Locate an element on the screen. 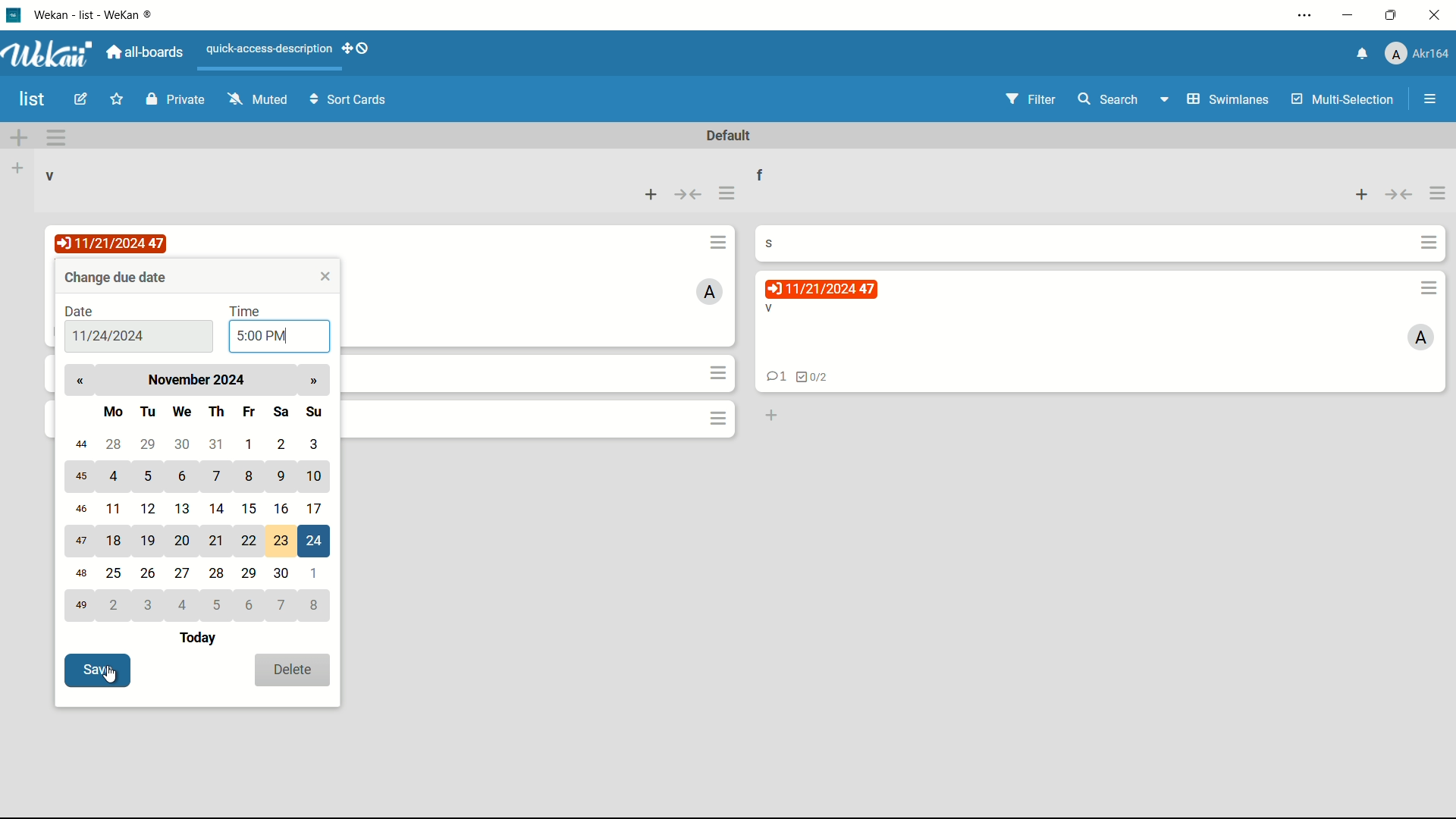 The height and width of the screenshot is (819, 1456). add card to top of list is located at coordinates (1360, 196).